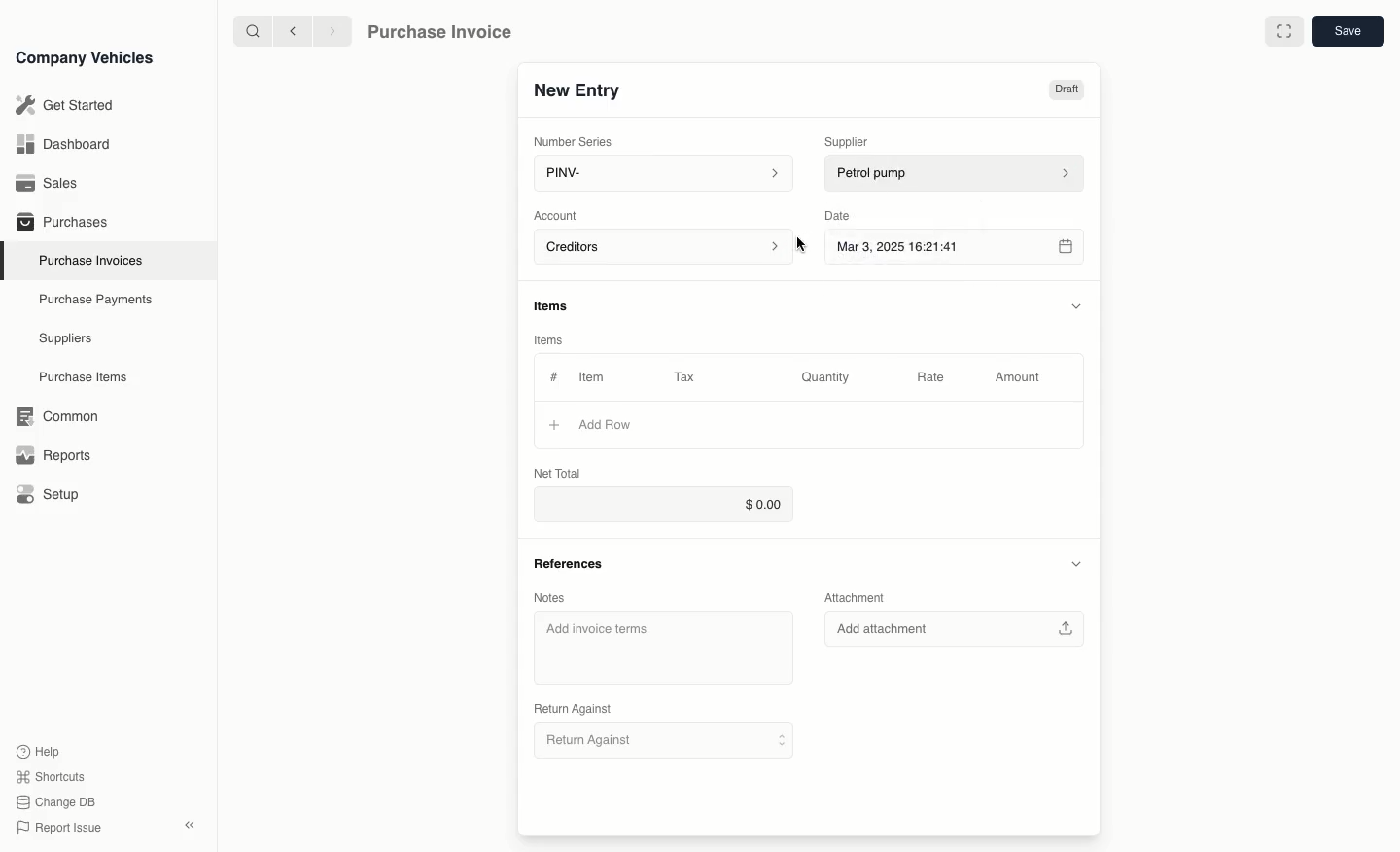 This screenshot has width=1400, height=852. I want to click on Add invoice terms., so click(661, 648).